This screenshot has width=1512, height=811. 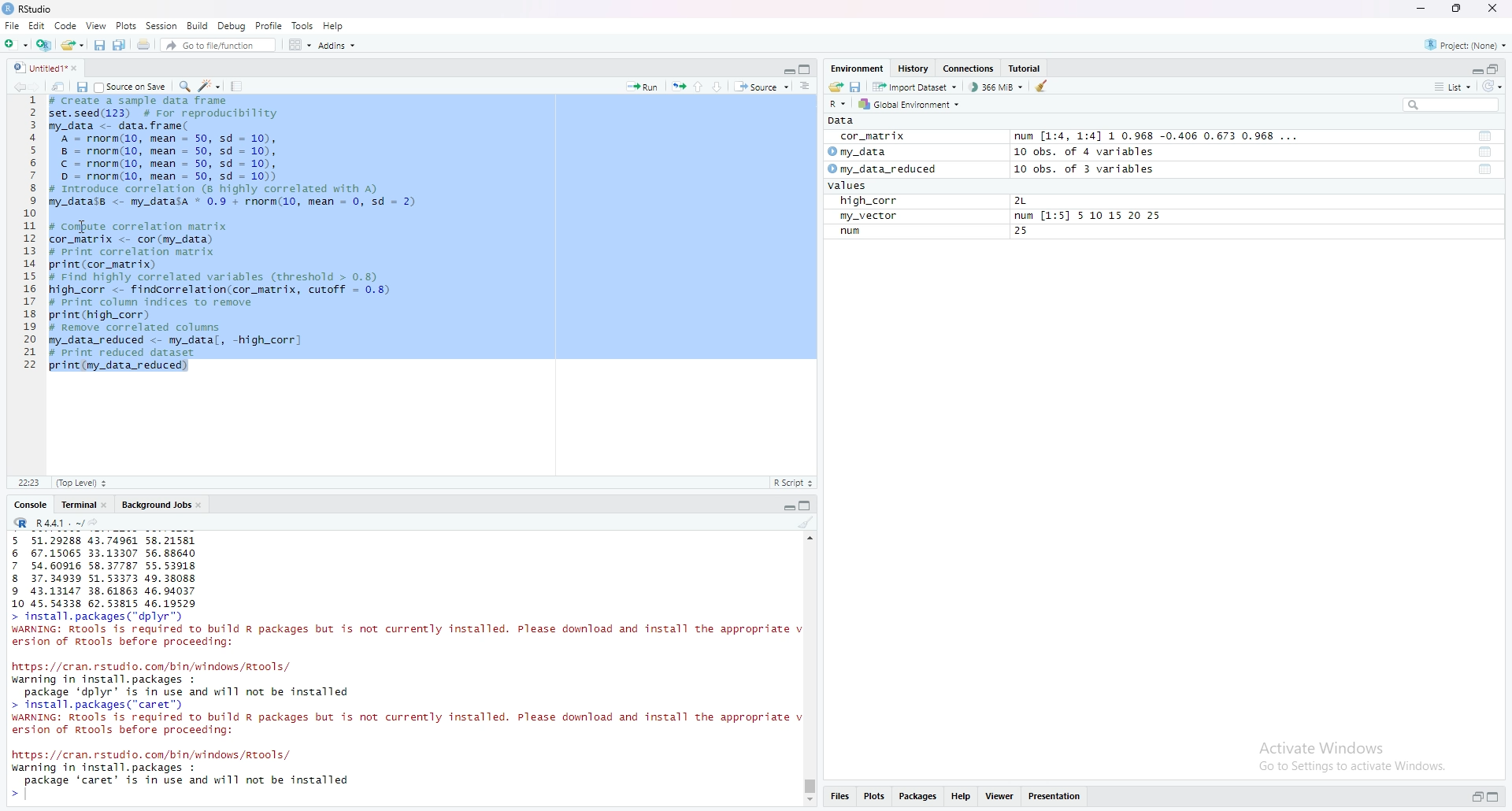 What do you see at coordinates (157, 505) in the screenshot?
I see `Background Jobs` at bounding box center [157, 505].